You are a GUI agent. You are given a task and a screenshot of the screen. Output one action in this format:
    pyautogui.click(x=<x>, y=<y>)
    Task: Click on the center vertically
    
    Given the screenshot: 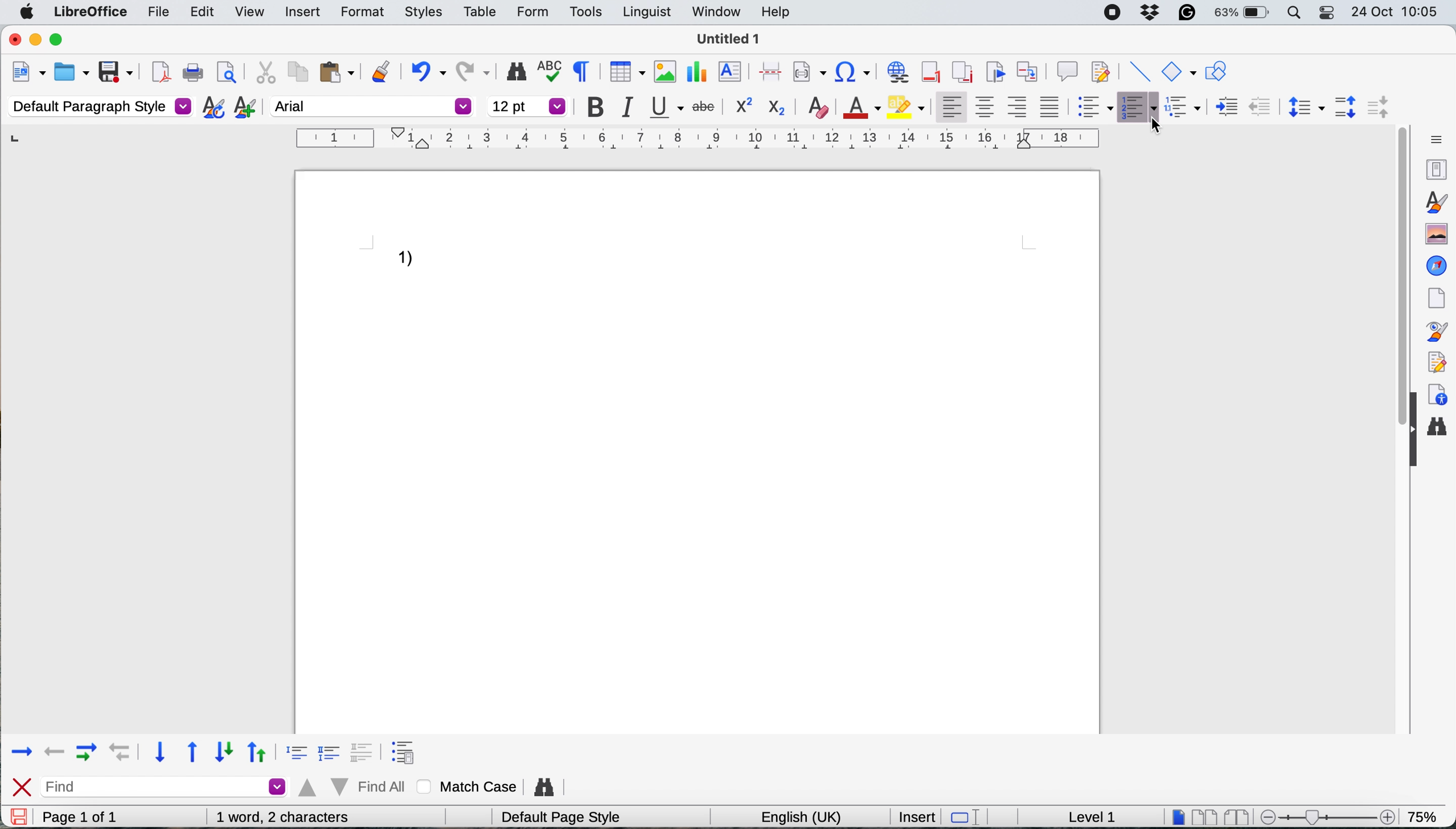 What is the action you would take?
    pyautogui.click(x=985, y=106)
    